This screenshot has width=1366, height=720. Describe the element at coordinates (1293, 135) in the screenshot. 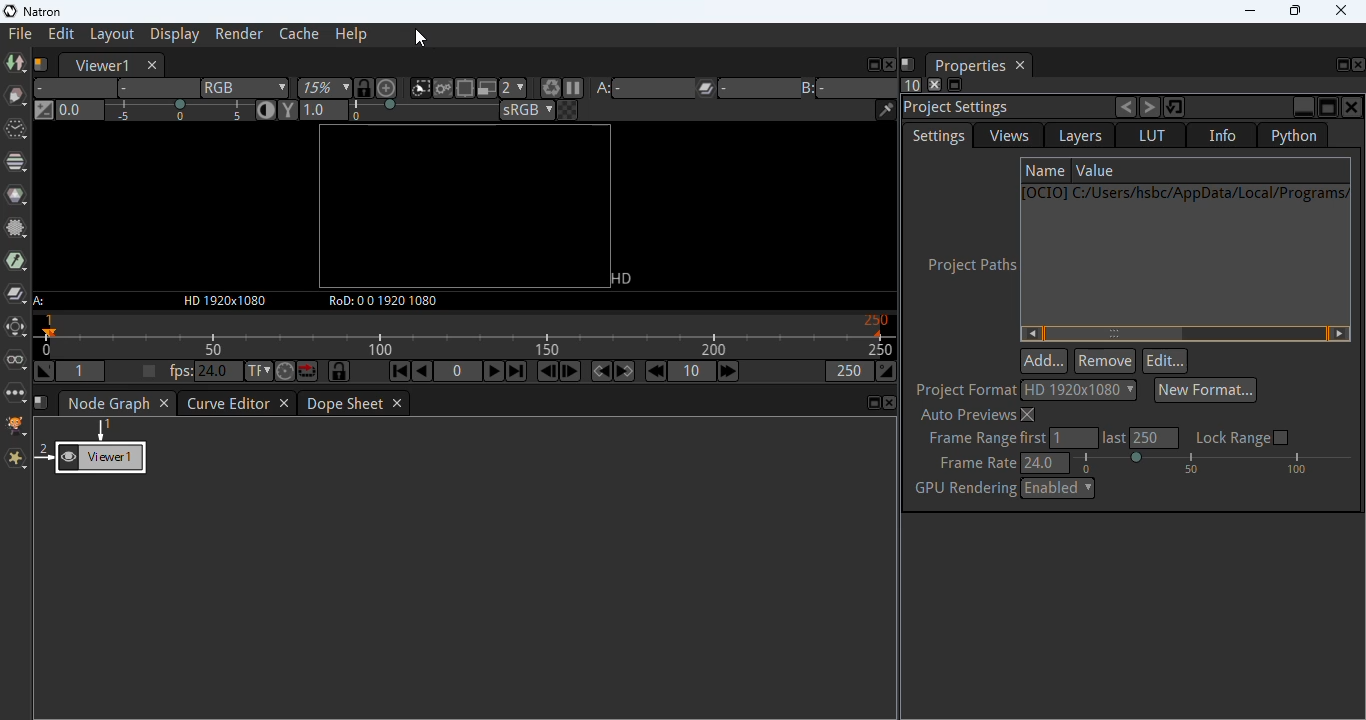

I see `python` at that location.